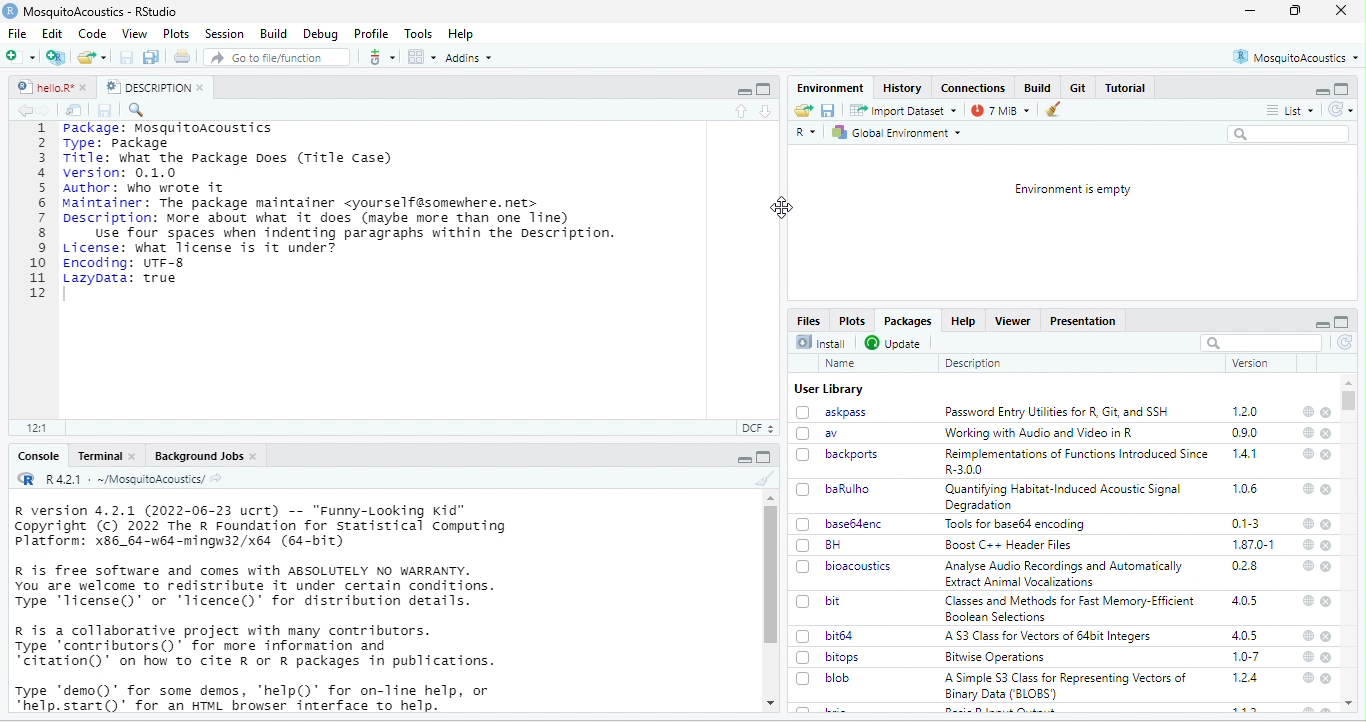 The width and height of the screenshot is (1366, 722). I want to click on close, so click(1328, 545).